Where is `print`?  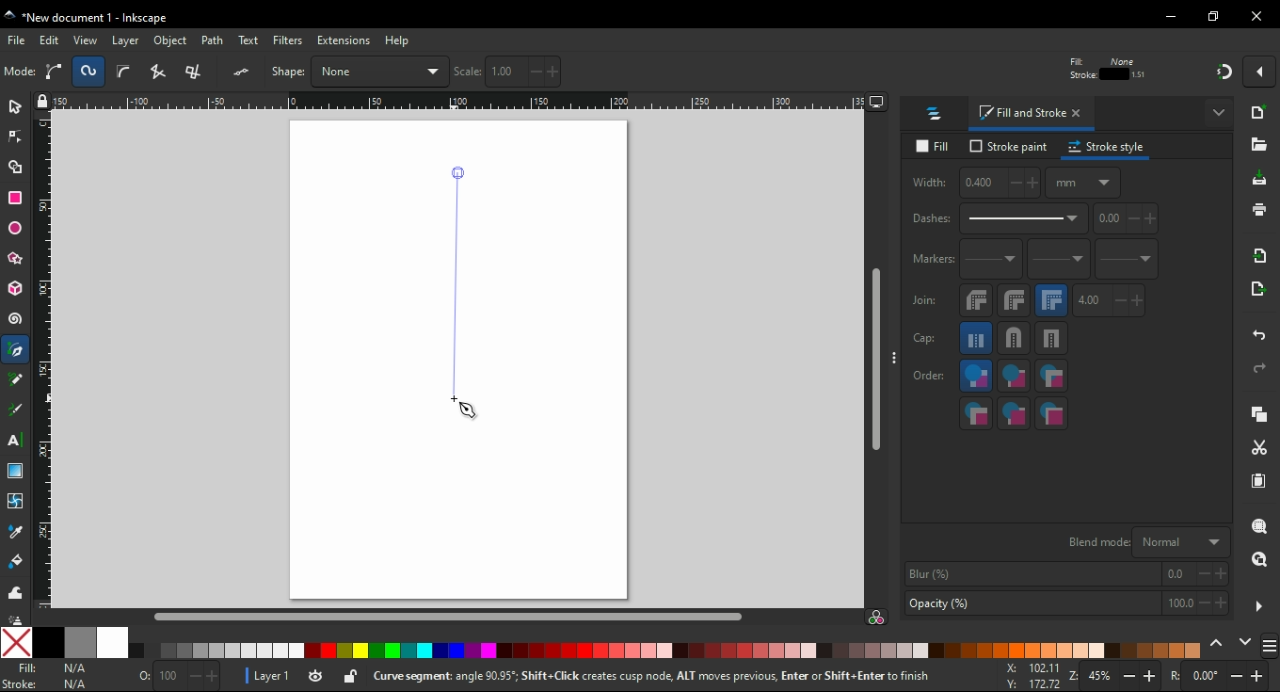
print is located at coordinates (1258, 209).